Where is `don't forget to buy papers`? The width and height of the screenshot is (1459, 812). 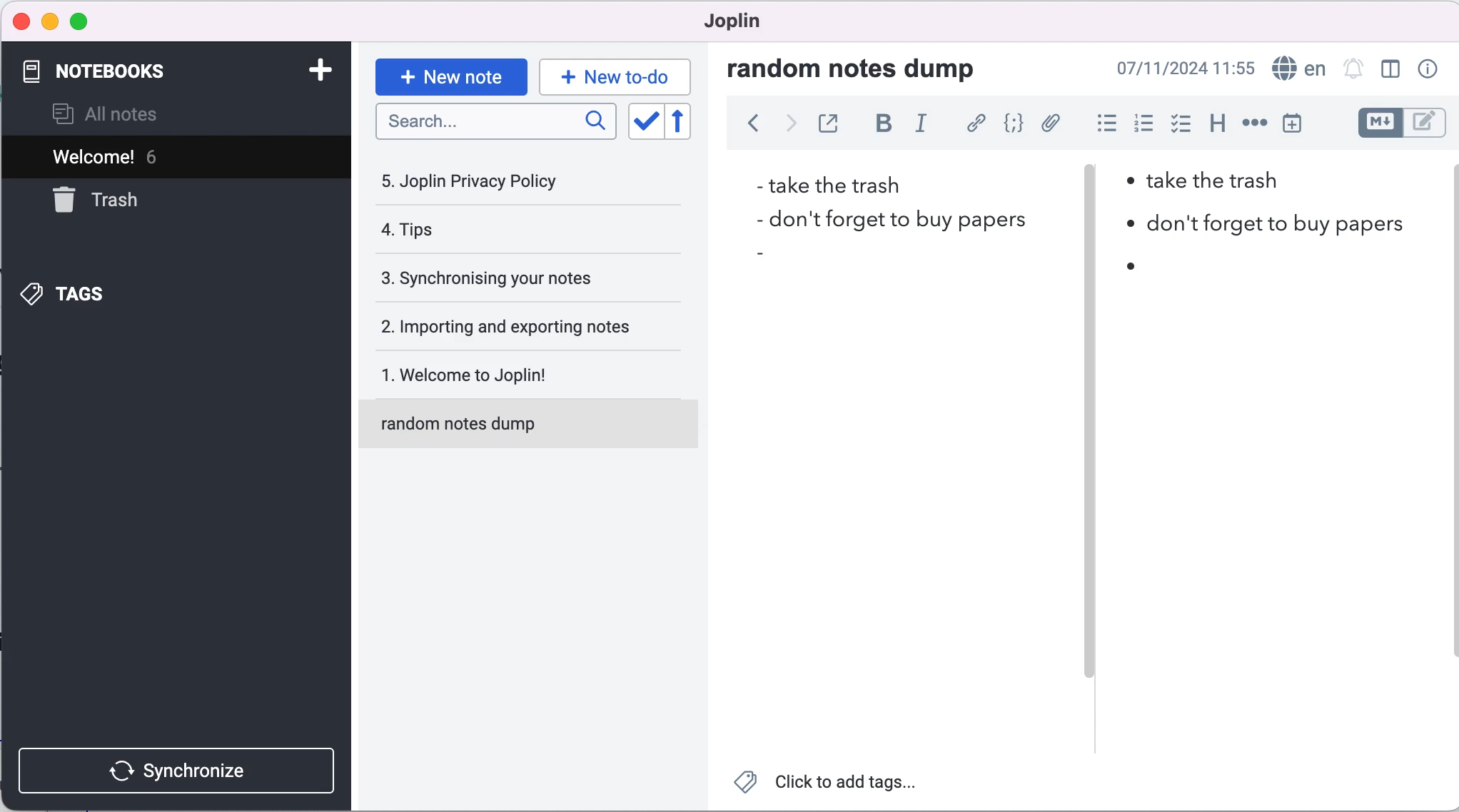
don't forget to buy papers is located at coordinates (1264, 223).